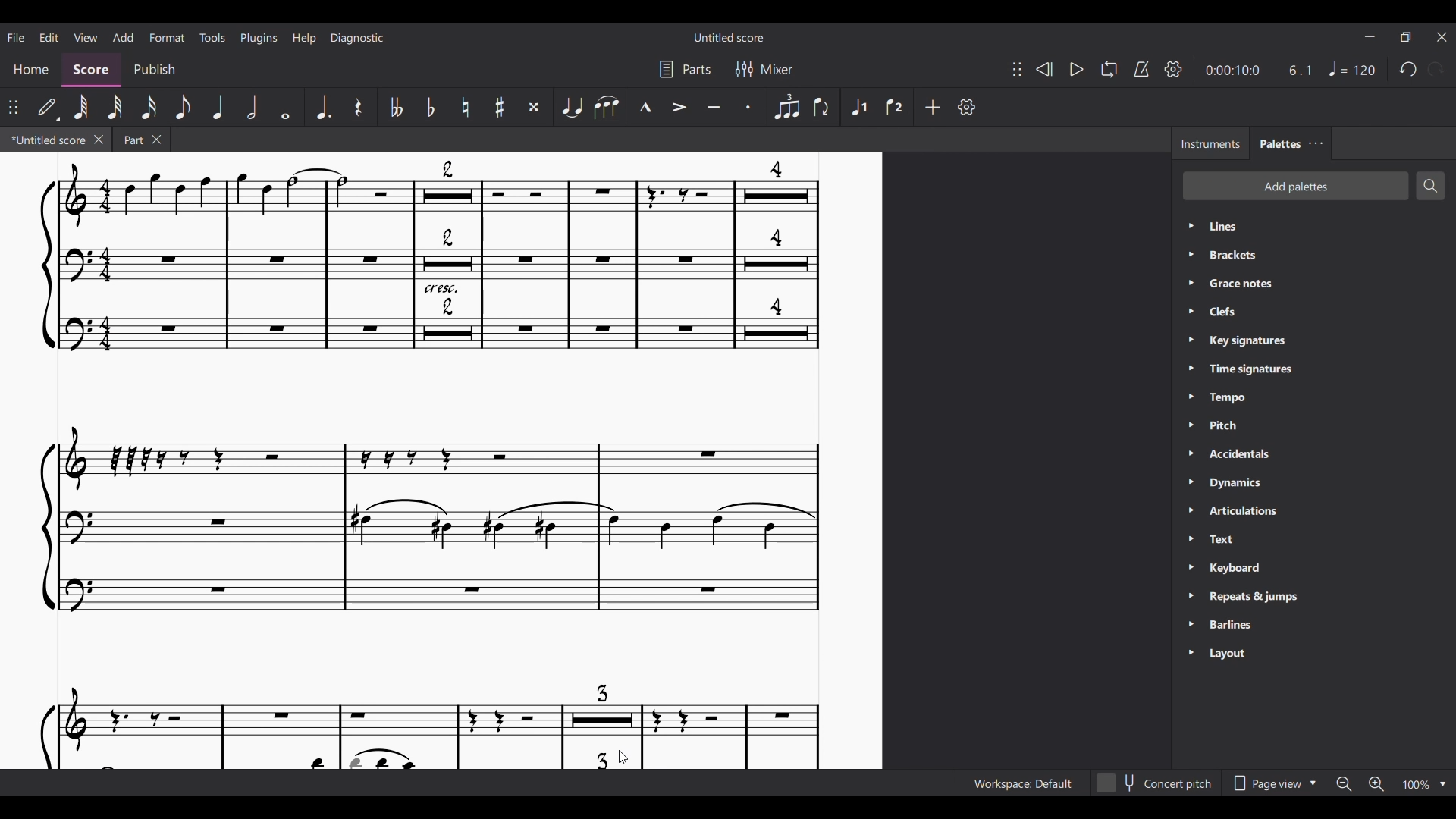 The width and height of the screenshot is (1456, 819). I want to click on Format menu, highlighted by cursor, so click(165, 36).